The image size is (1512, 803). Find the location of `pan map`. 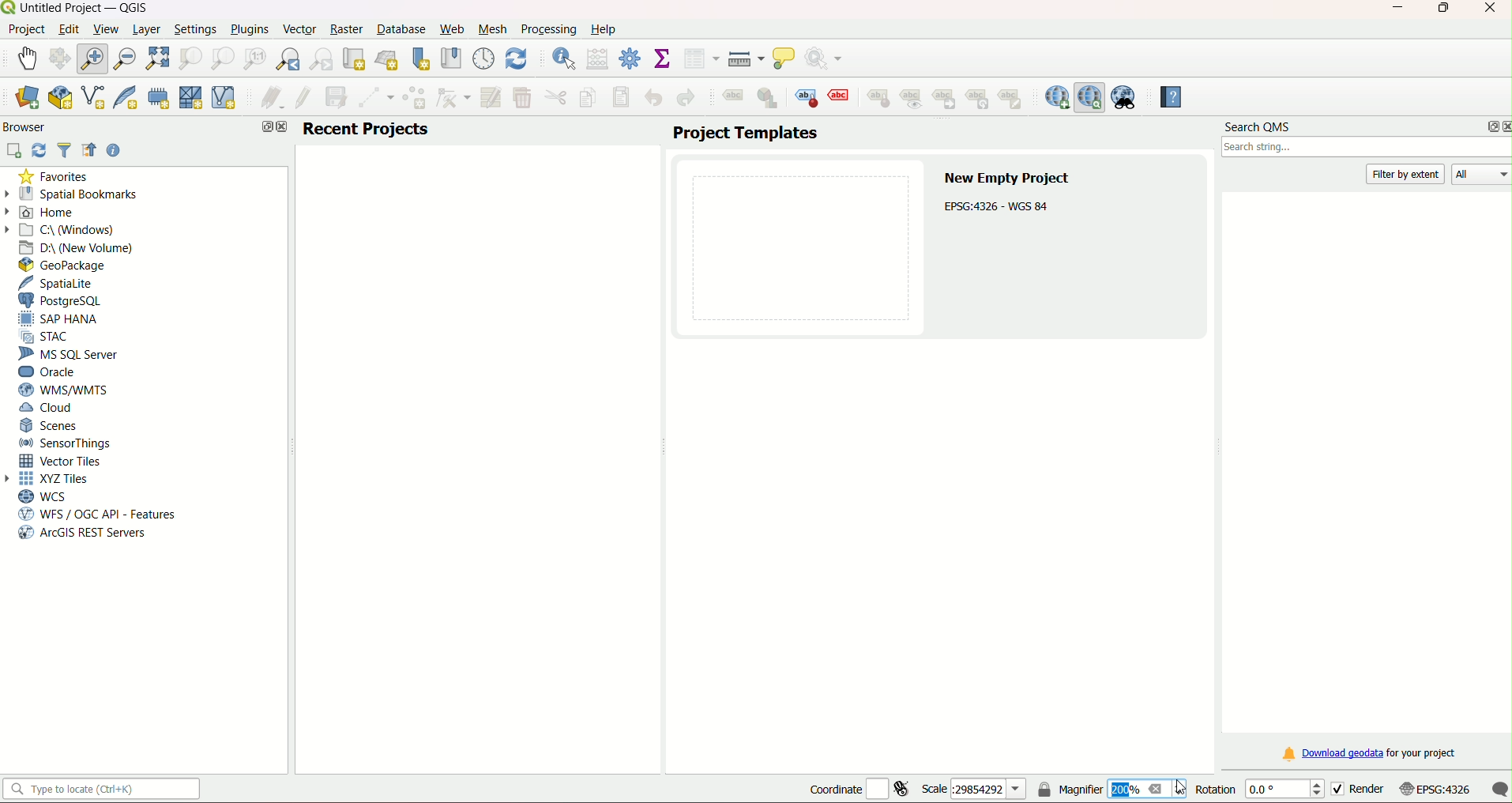

pan map is located at coordinates (28, 56).